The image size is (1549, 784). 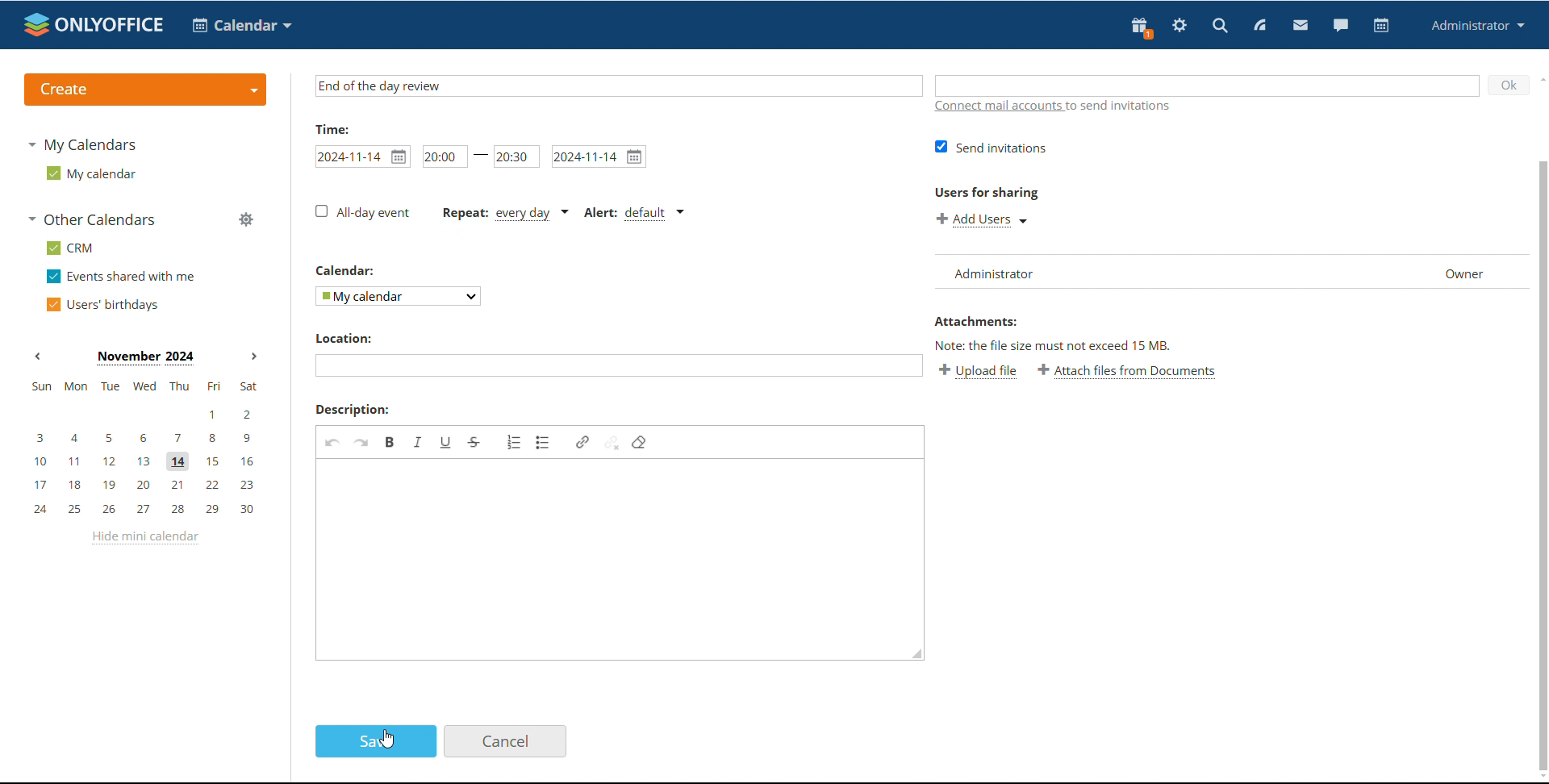 I want to click on search, so click(x=1219, y=27).